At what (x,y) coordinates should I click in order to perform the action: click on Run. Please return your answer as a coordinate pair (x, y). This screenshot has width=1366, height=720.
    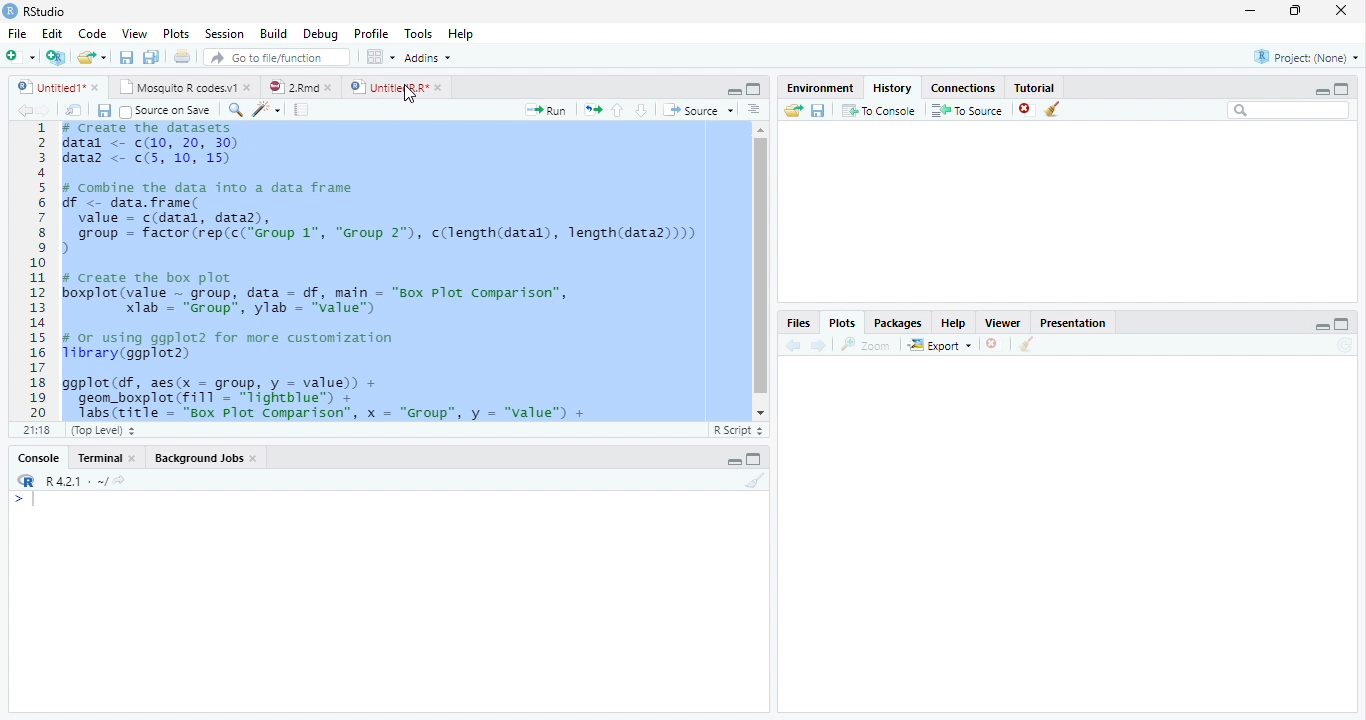
    Looking at the image, I should click on (546, 111).